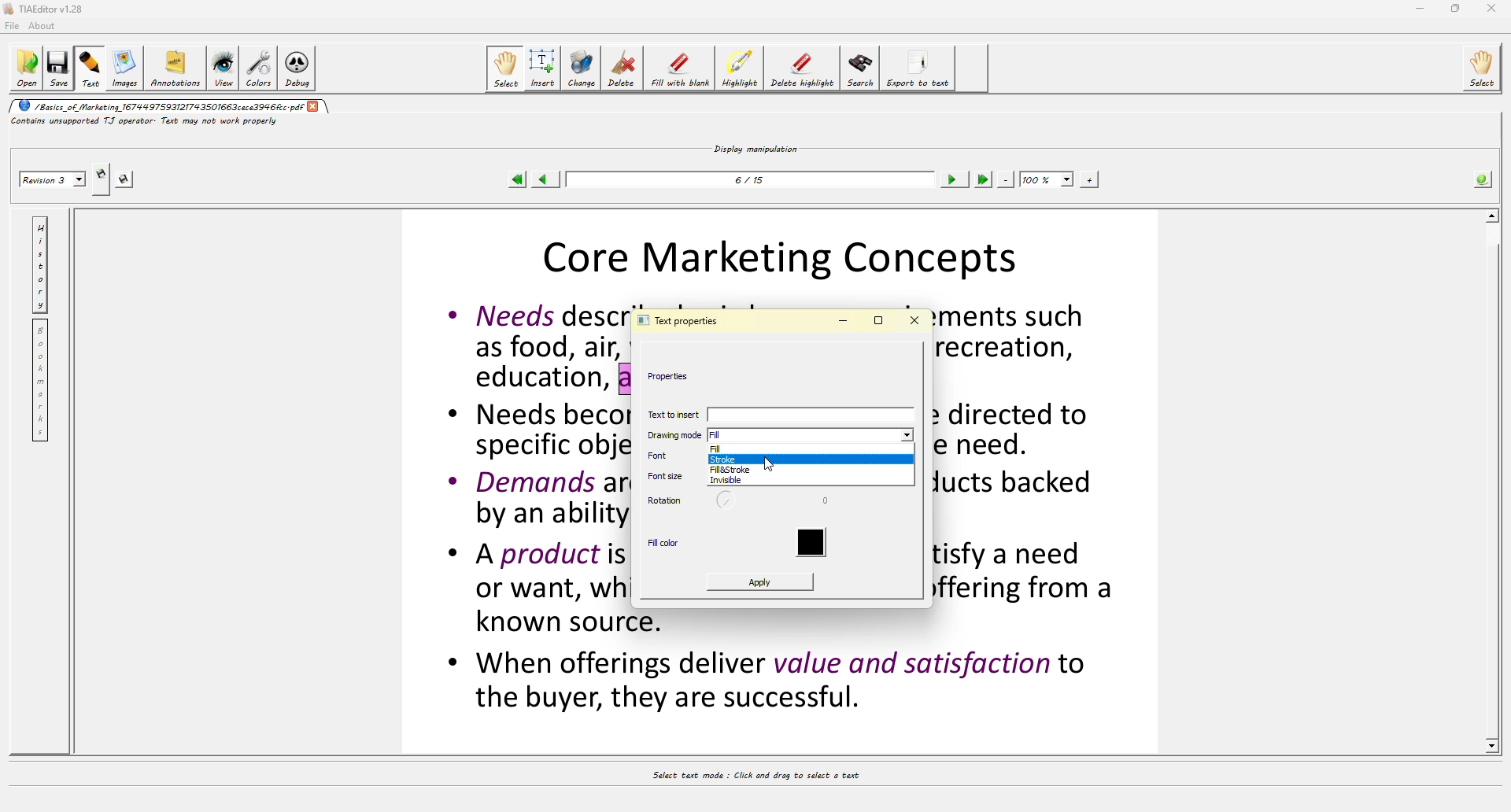 The width and height of the screenshot is (1511, 812). I want to click on next page, so click(952, 180).